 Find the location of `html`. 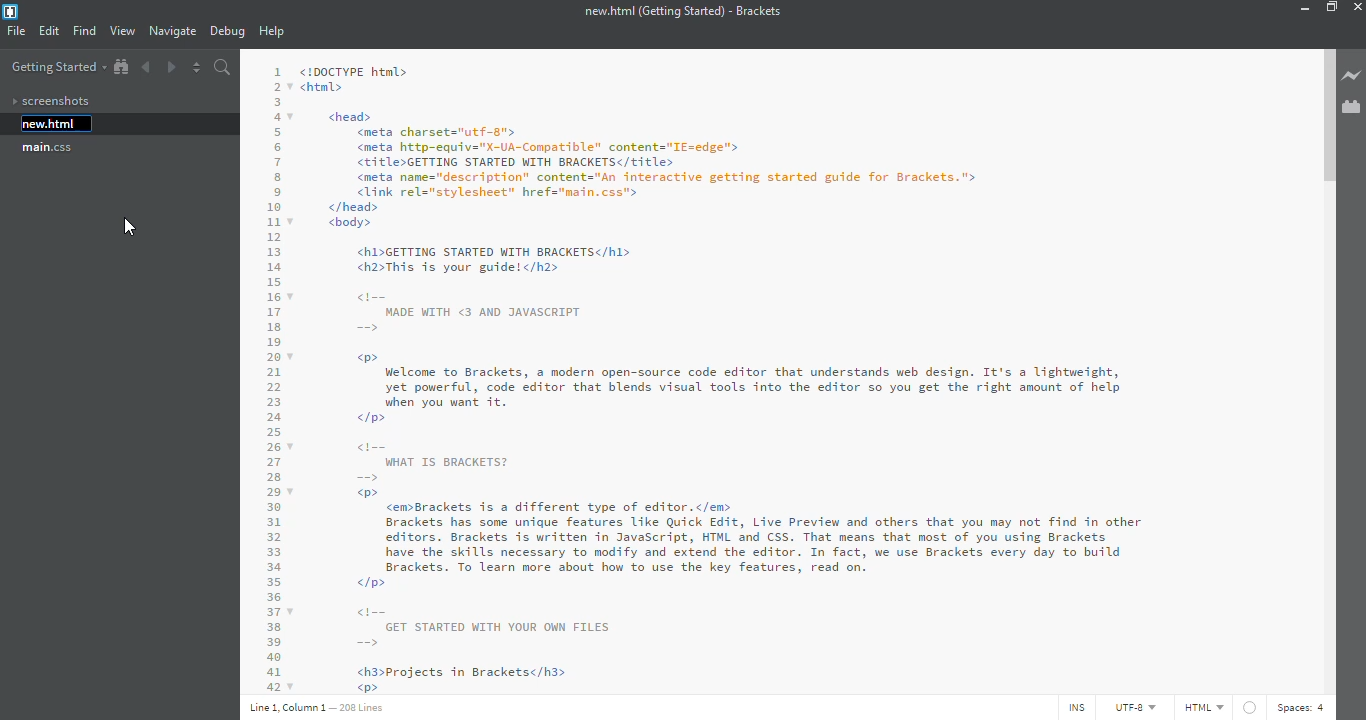

html is located at coordinates (1203, 707).